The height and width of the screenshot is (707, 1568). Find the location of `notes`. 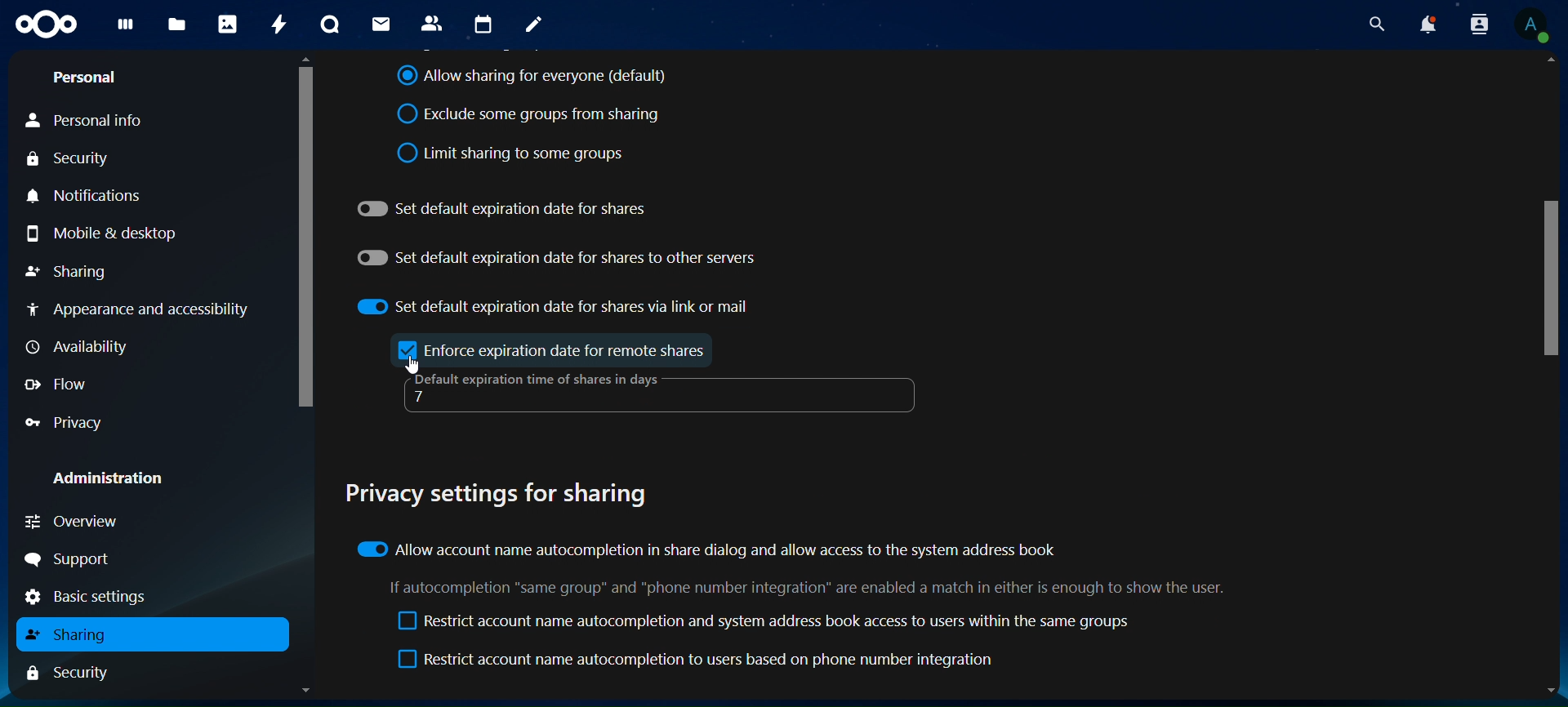

notes is located at coordinates (532, 26).